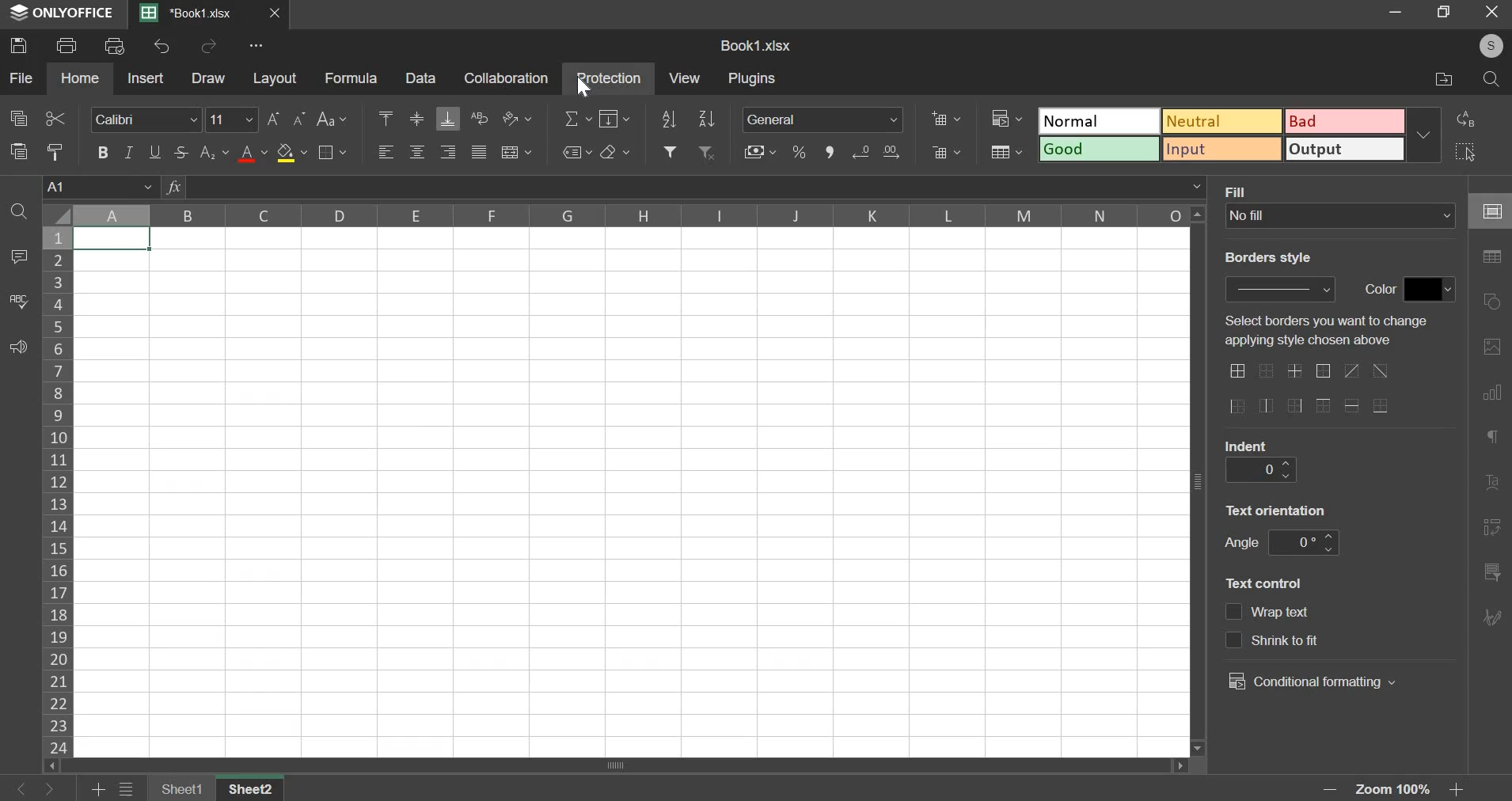 The image size is (1512, 801). Describe the element at coordinates (417, 153) in the screenshot. I see `horizontal alignment` at that location.